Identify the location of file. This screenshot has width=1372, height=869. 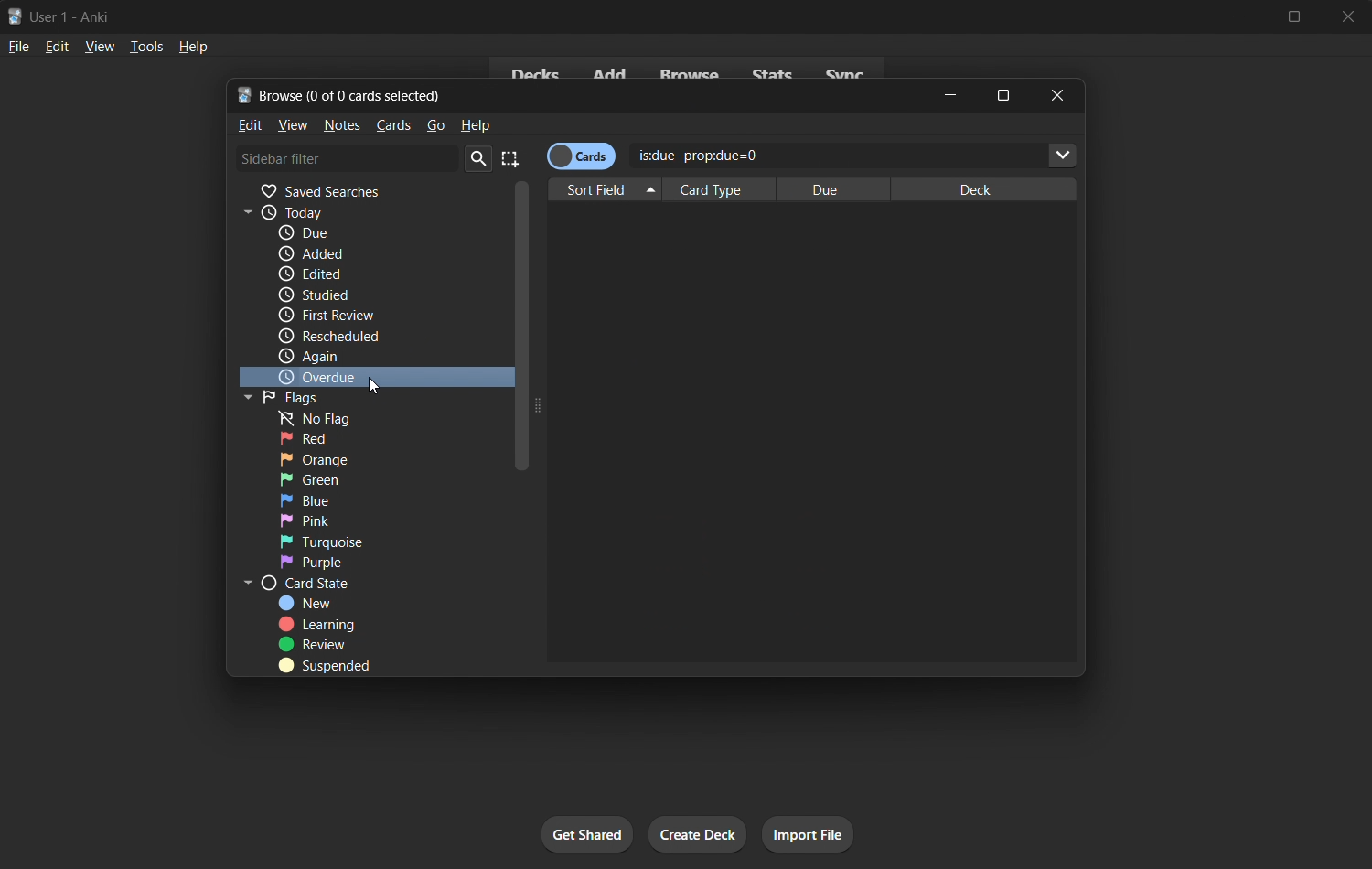
(18, 45).